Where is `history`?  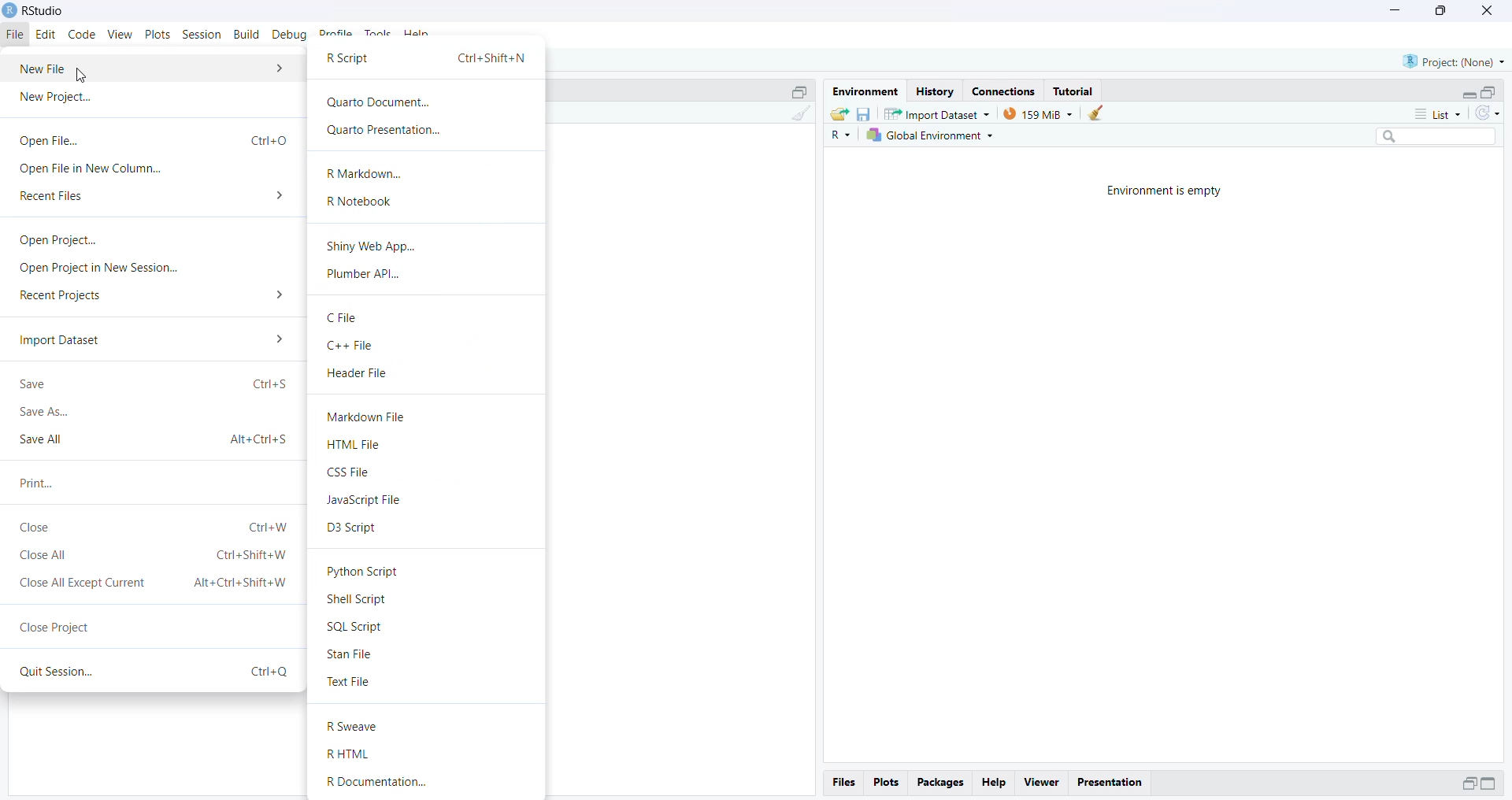 history is located at coordinates (934, 92).